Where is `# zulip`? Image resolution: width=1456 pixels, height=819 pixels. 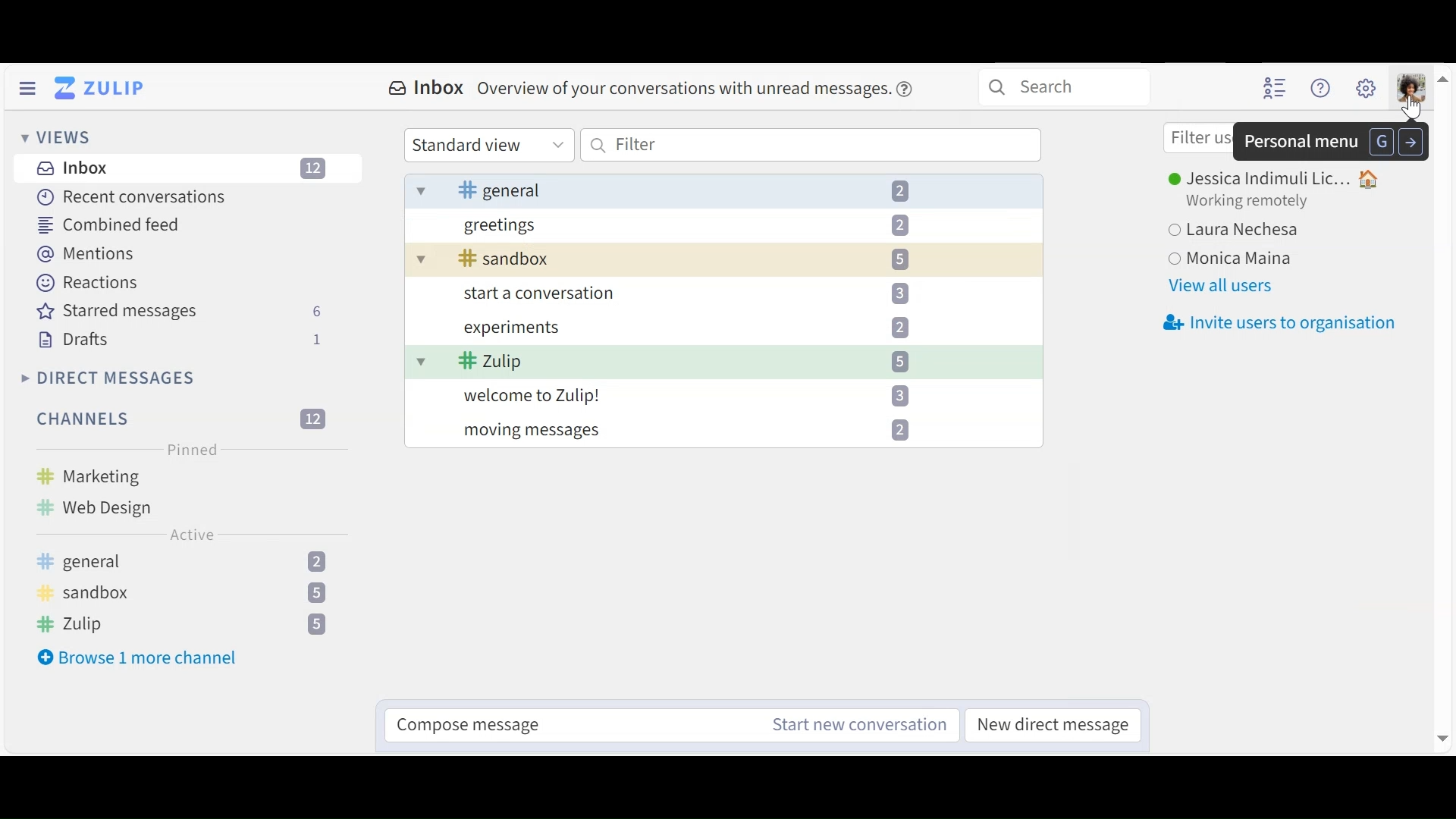
# zulip is located at coordinates (491, 360).